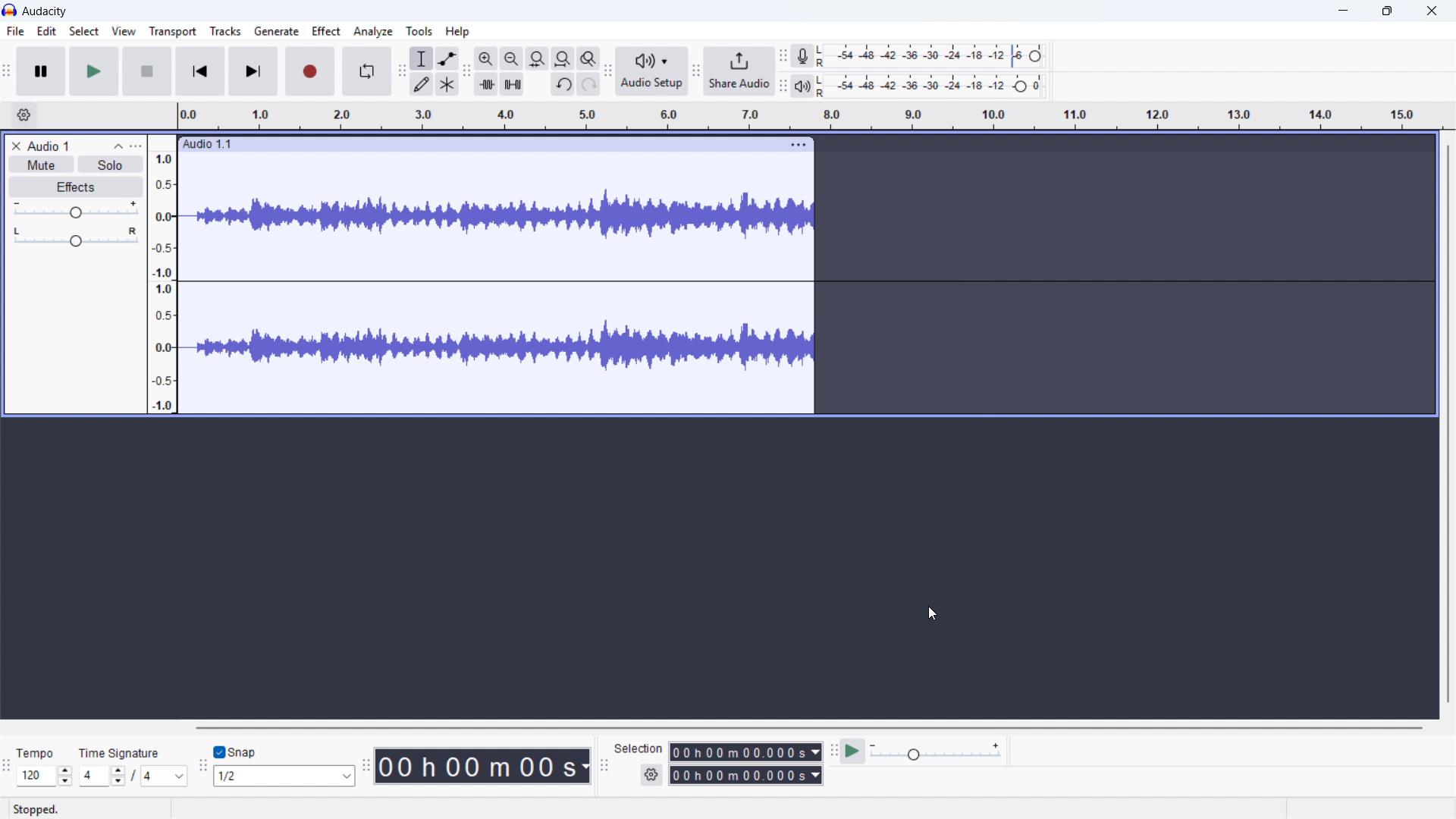 This screenshot has width=1456, height=819. Describe the element at coordinates (366, 765) in the screenshot. I see `Audacity time toolbar ` at that location.